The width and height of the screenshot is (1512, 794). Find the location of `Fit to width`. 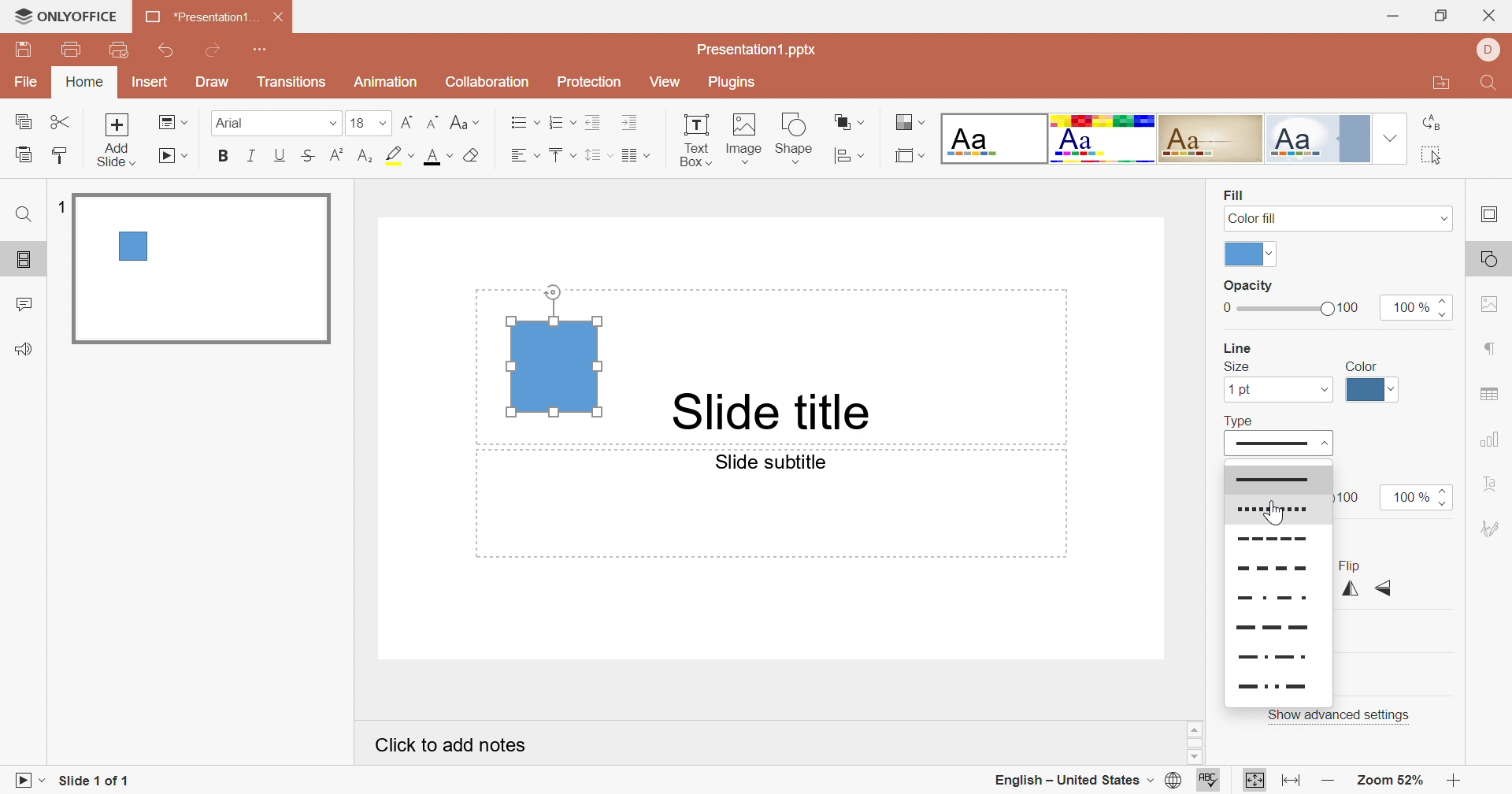

Fit to width is located at coordinates (1288, 781).